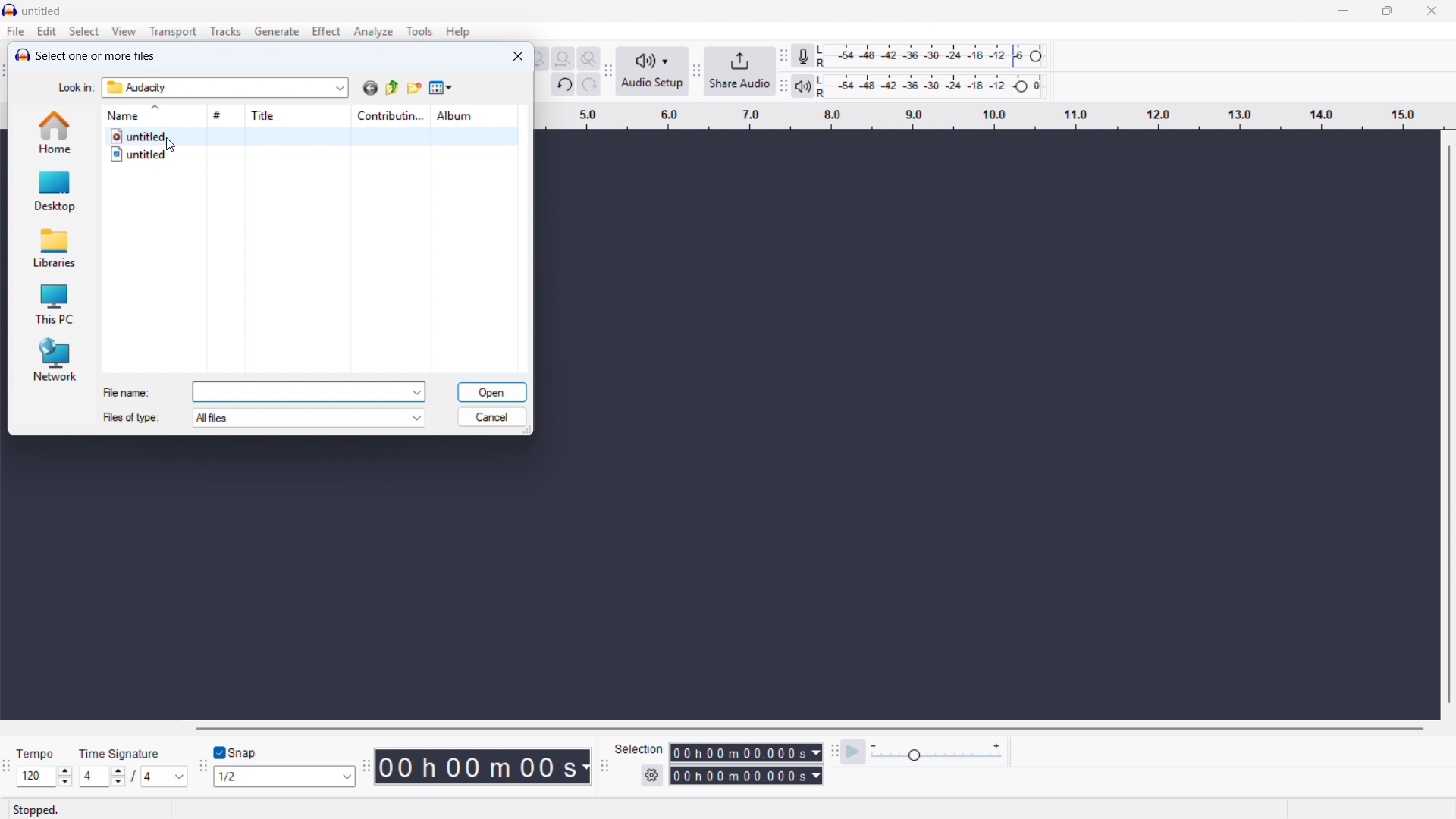  I want to click on go to previous folder, so click(392, 88).